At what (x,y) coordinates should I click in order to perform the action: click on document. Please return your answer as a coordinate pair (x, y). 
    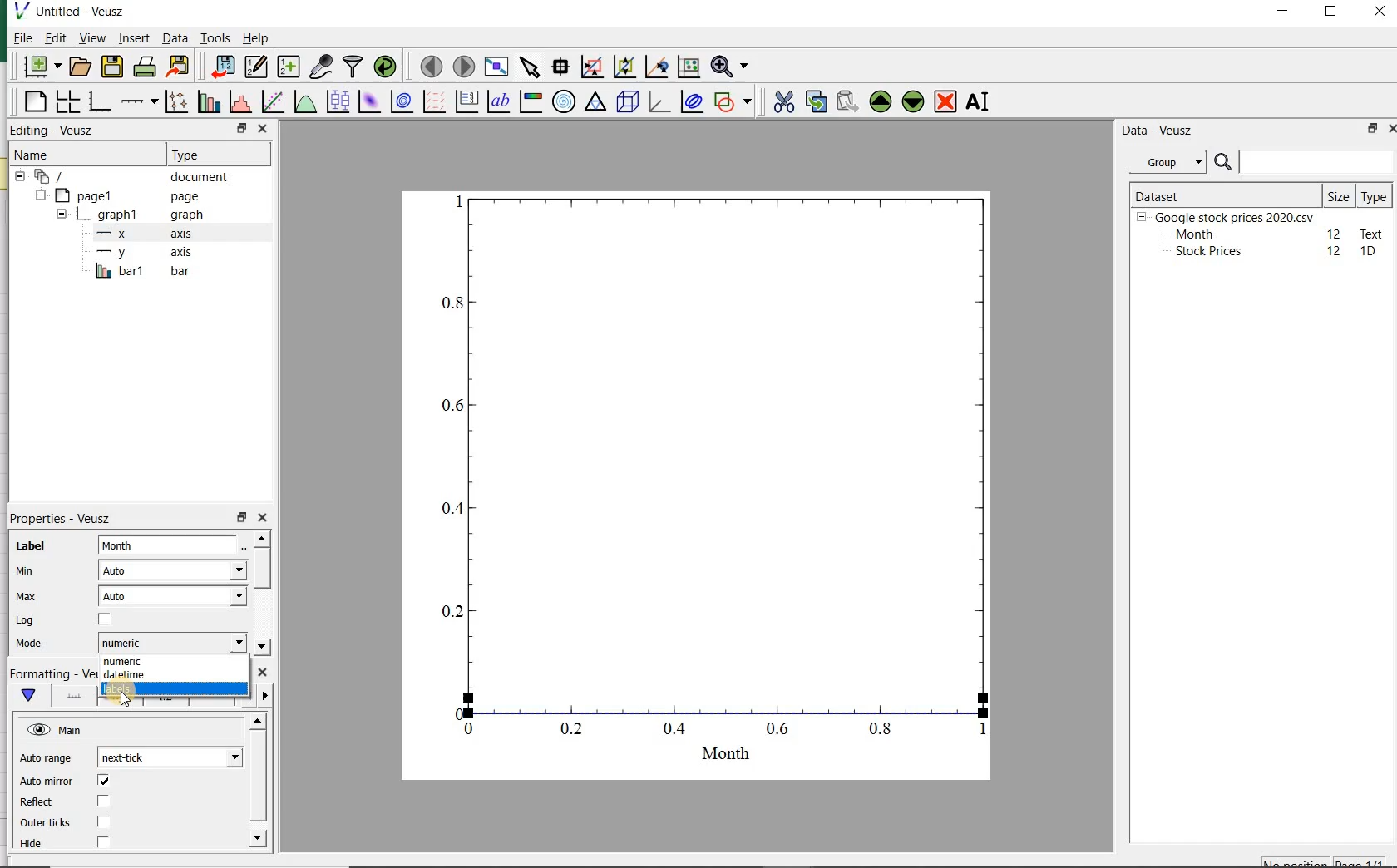
    Looking at the image, I should click on (129, 177).